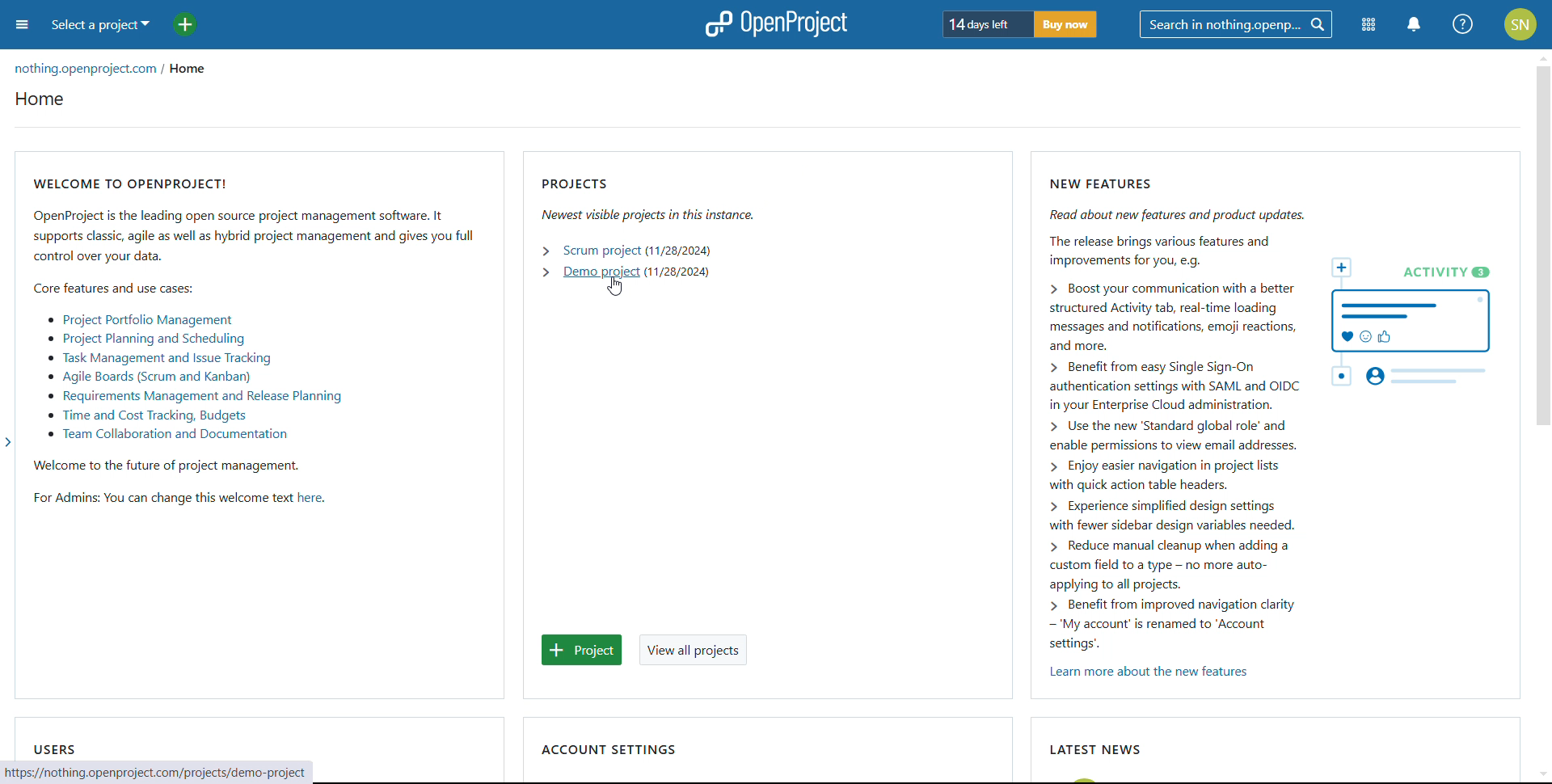  What do you see at coordinates (616, 287) in the screenshot?
I see `cursor` at bounding box center [616, 287].